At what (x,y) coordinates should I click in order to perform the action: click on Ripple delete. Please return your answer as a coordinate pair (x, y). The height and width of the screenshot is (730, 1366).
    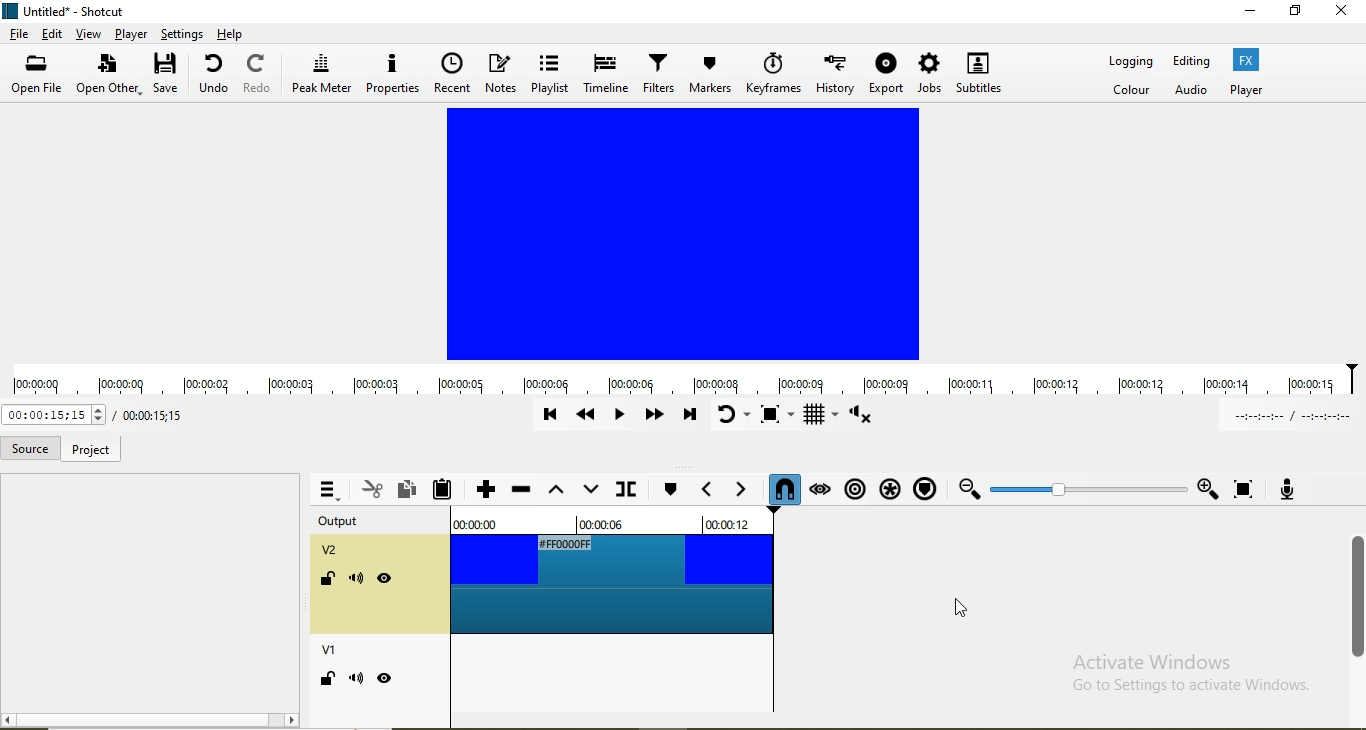
    Looking at the image, I should click on (521, 493).